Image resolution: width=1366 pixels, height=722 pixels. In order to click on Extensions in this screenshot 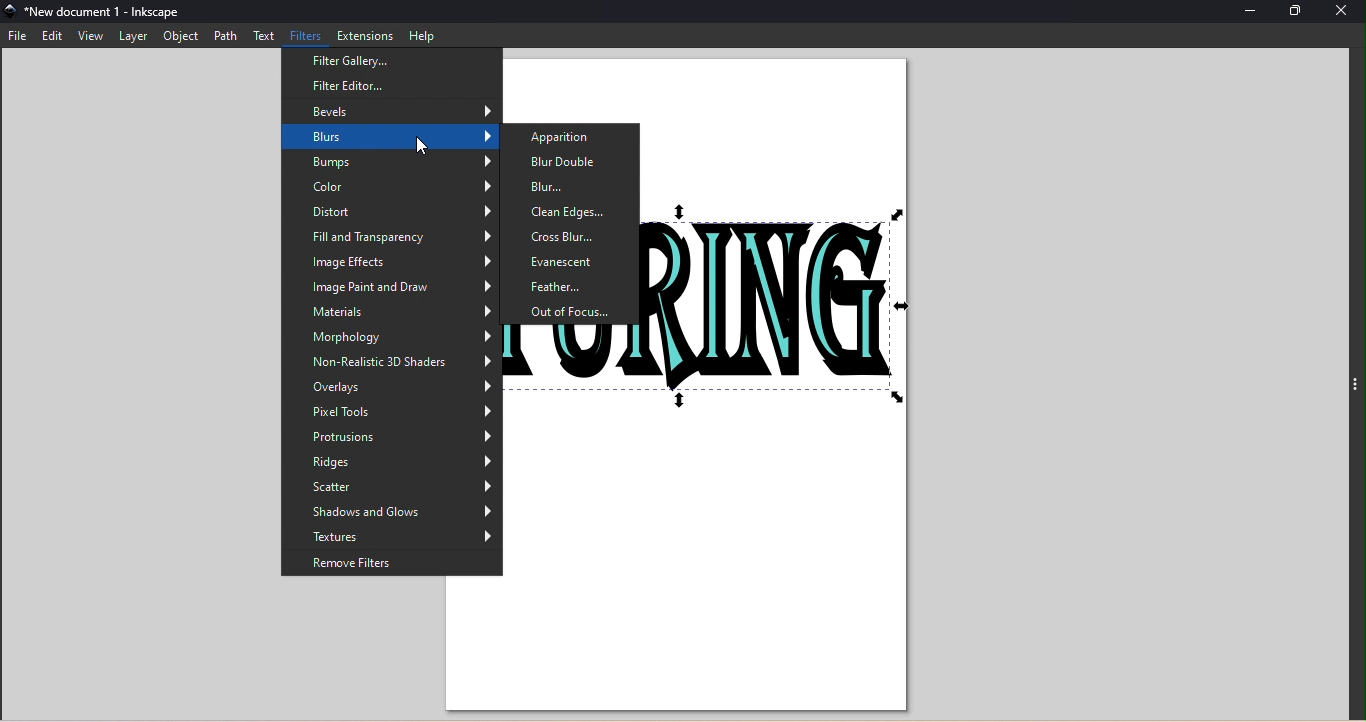, I will do `click(366, 35)`.